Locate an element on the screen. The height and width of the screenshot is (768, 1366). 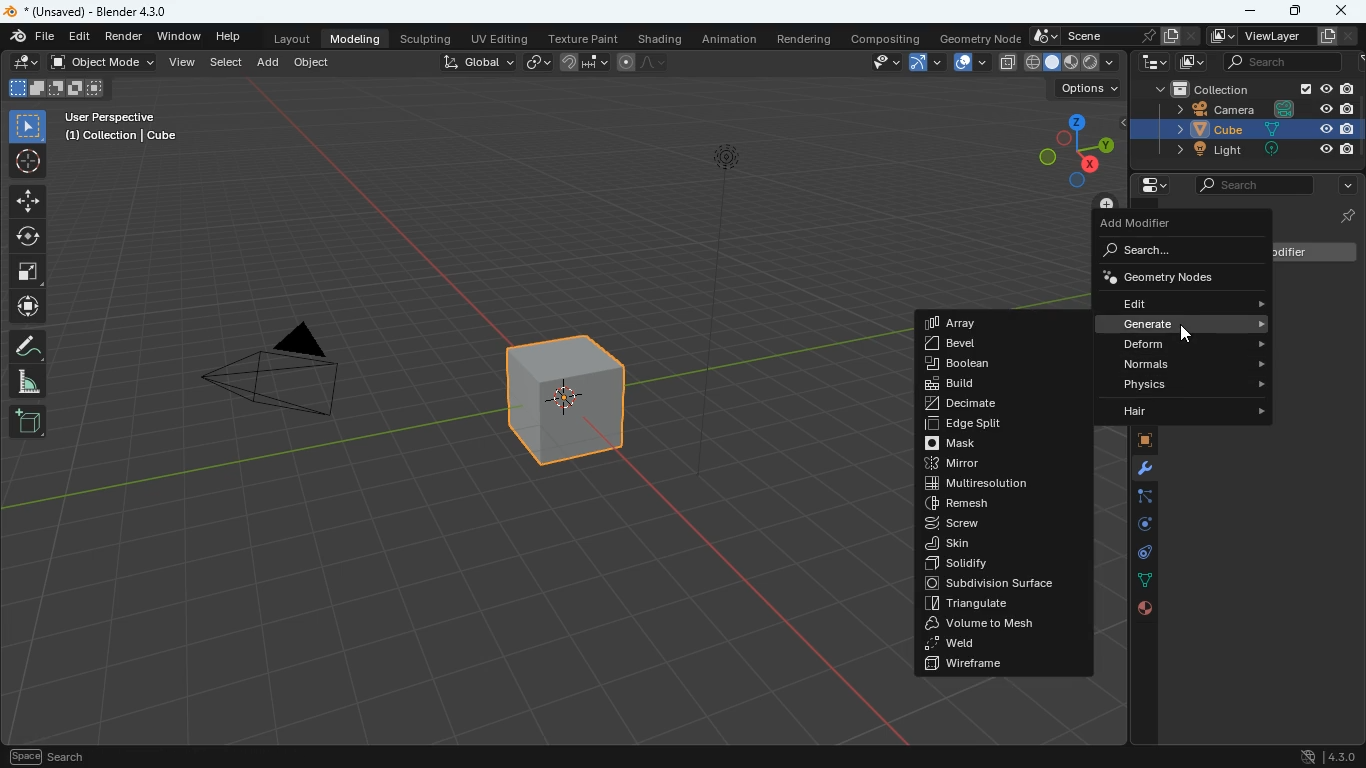
object mode is located at coordinates (105, 64).